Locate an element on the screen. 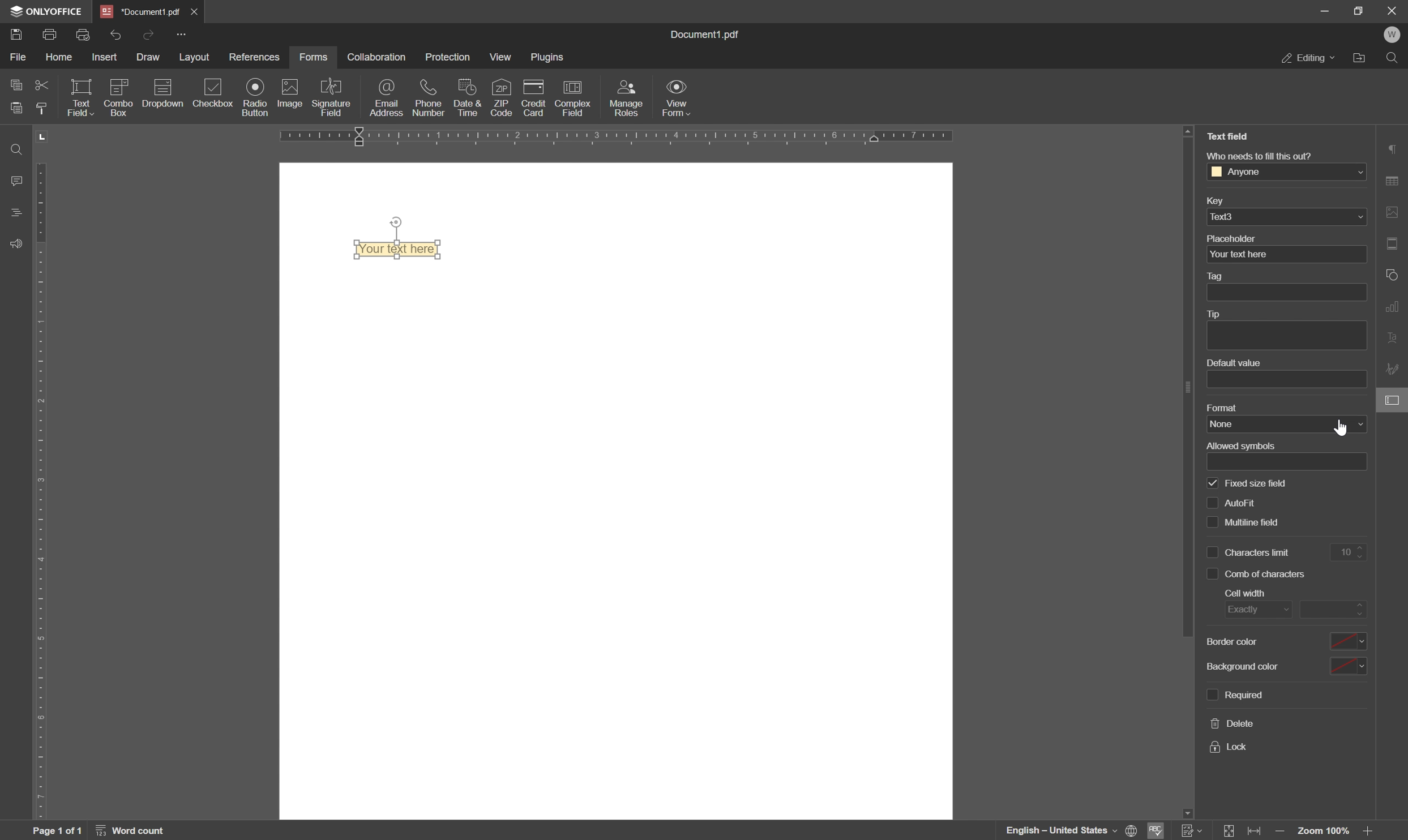  phone number is located at coordinates (430, 97).